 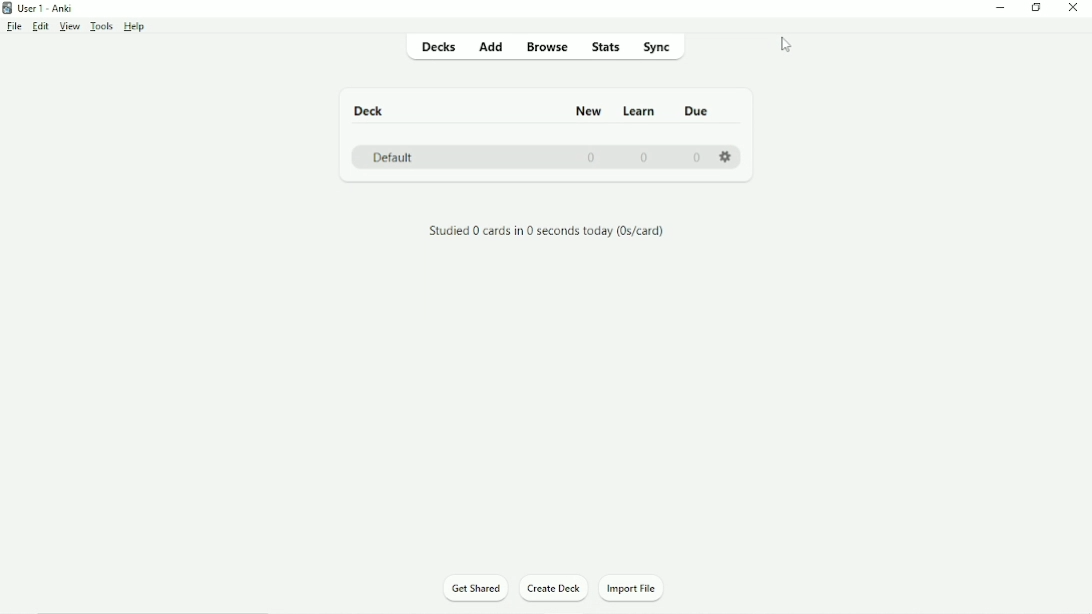 I want to click on New, so click(x=590, y=112).